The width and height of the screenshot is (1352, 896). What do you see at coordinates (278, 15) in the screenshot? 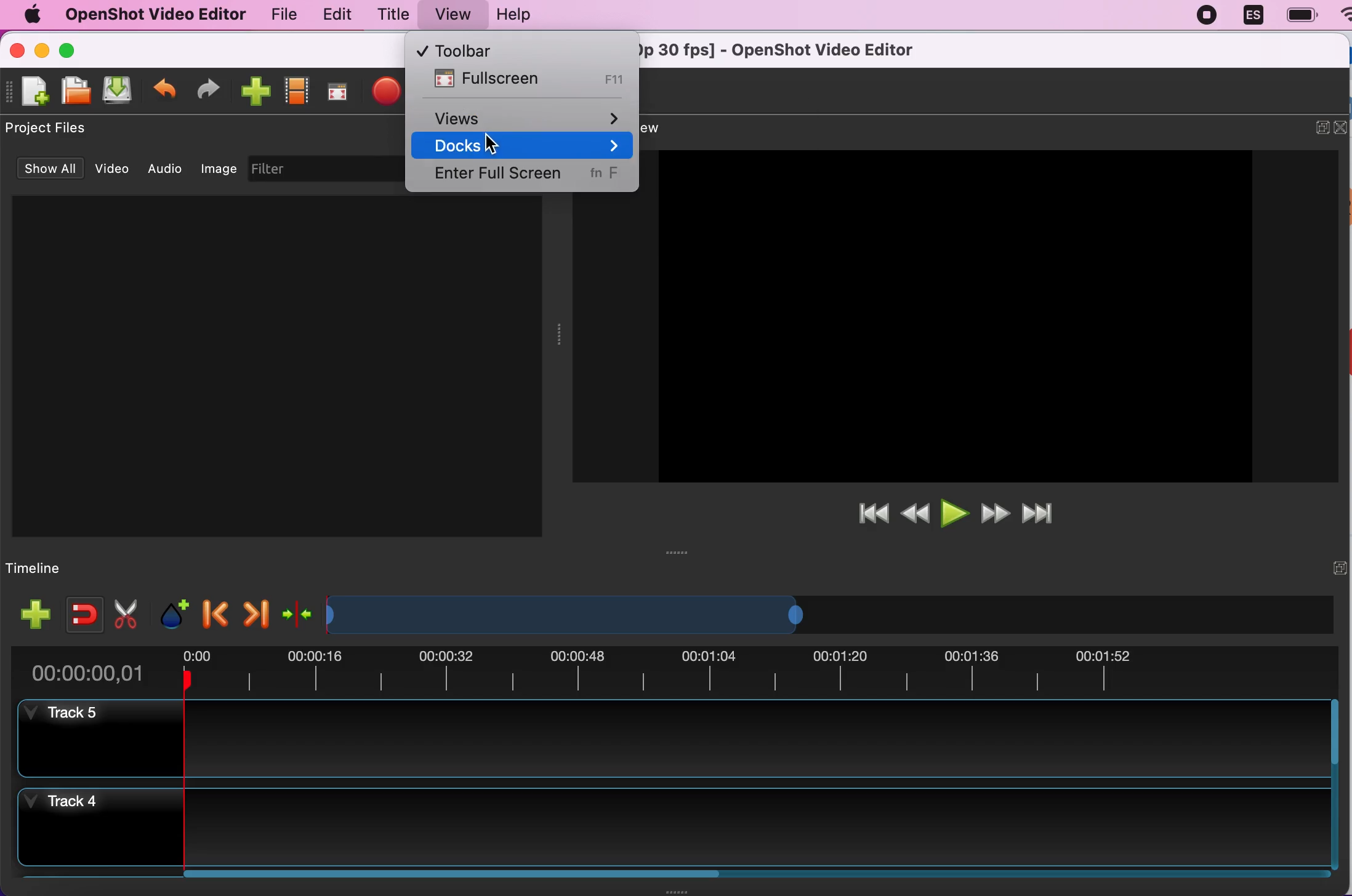
I see `file` at bounding box center [278, 15].